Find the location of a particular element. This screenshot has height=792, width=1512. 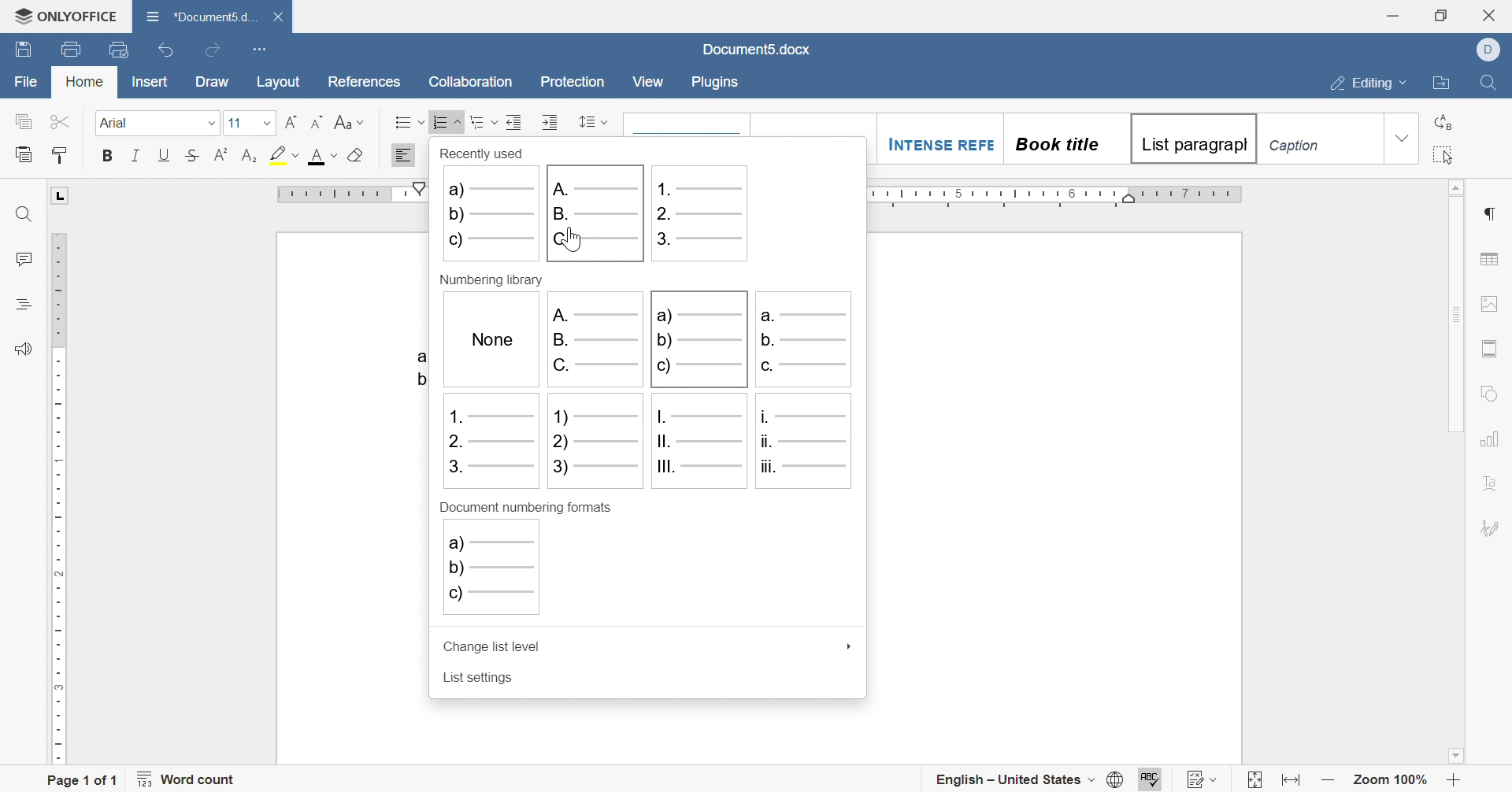

select all is located at coordinates (1444, 154).